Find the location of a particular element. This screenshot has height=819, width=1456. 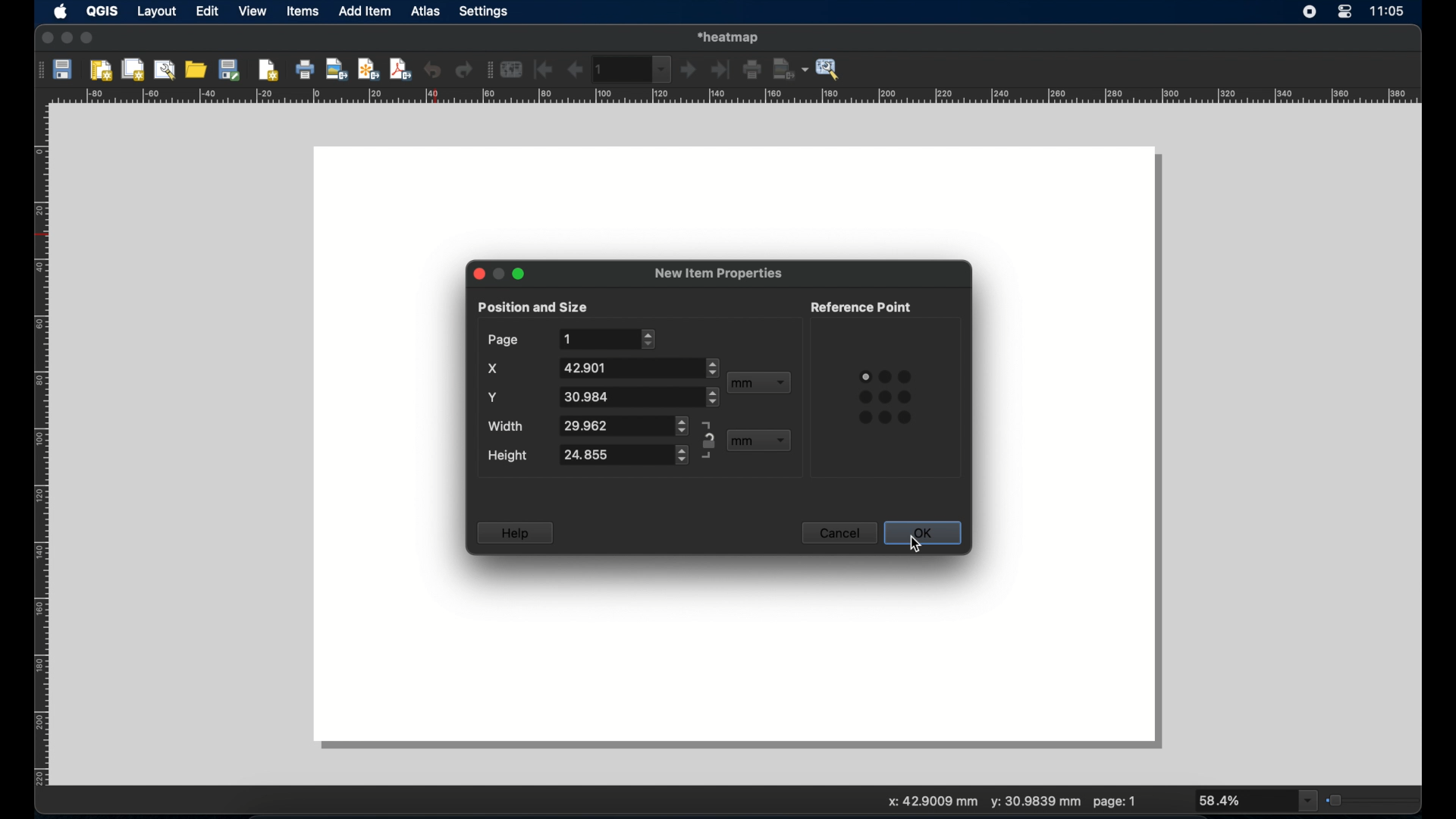

margin is located at coordinates (738, 97).